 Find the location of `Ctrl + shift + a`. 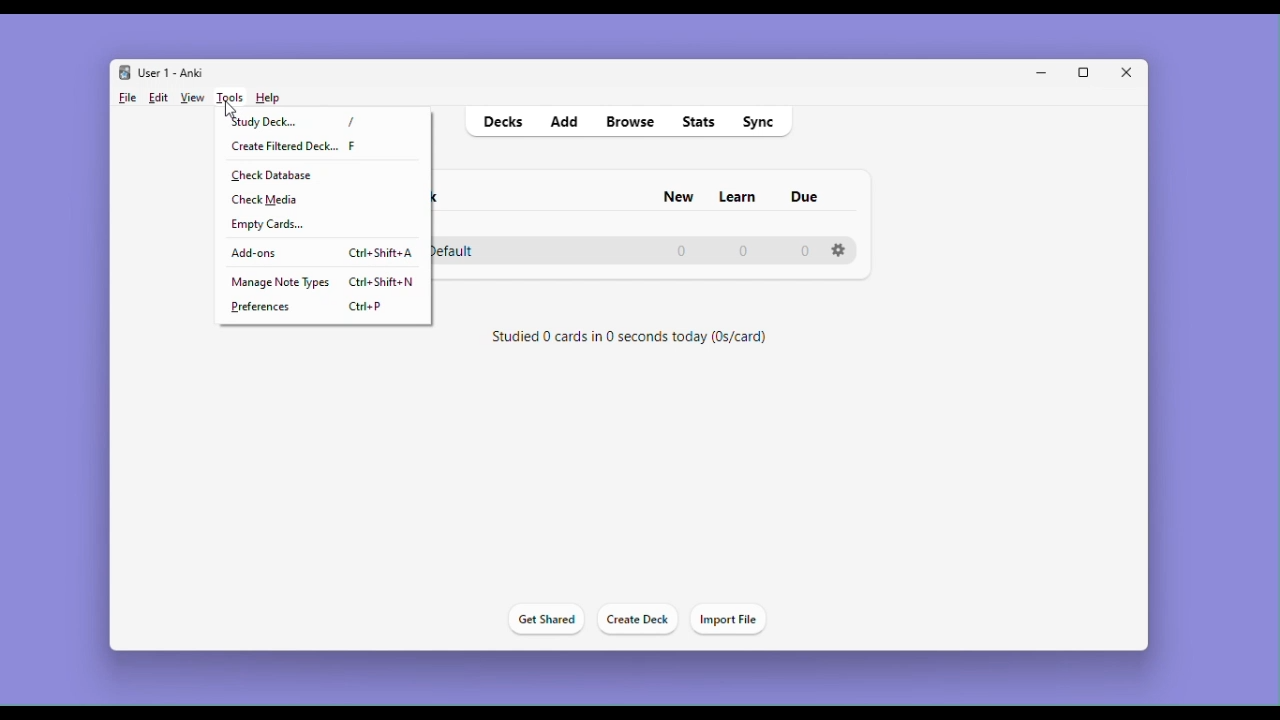

Ctrl + shift + a is located at coordinates (381, 253).